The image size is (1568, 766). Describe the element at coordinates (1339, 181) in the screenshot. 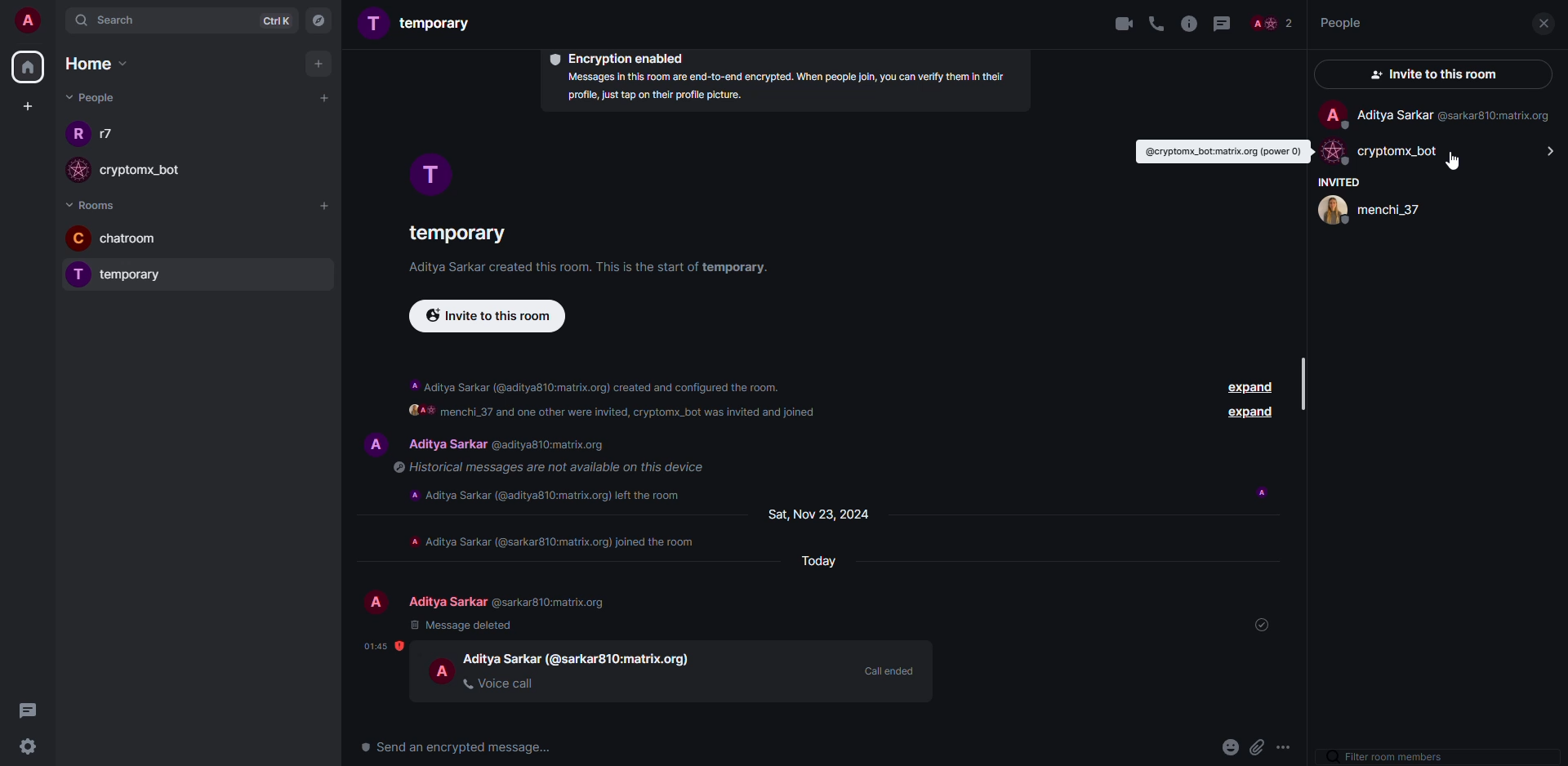

I see `invited` at that location.